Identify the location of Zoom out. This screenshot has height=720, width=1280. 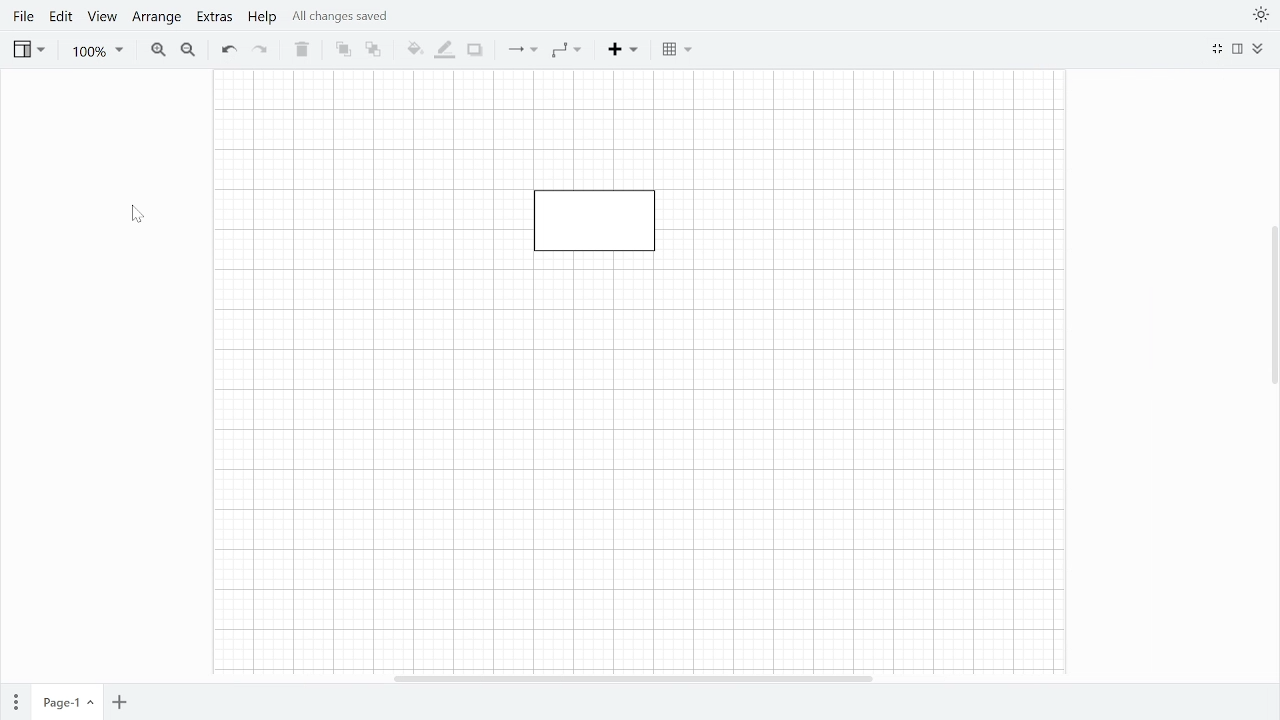
(189, 50).